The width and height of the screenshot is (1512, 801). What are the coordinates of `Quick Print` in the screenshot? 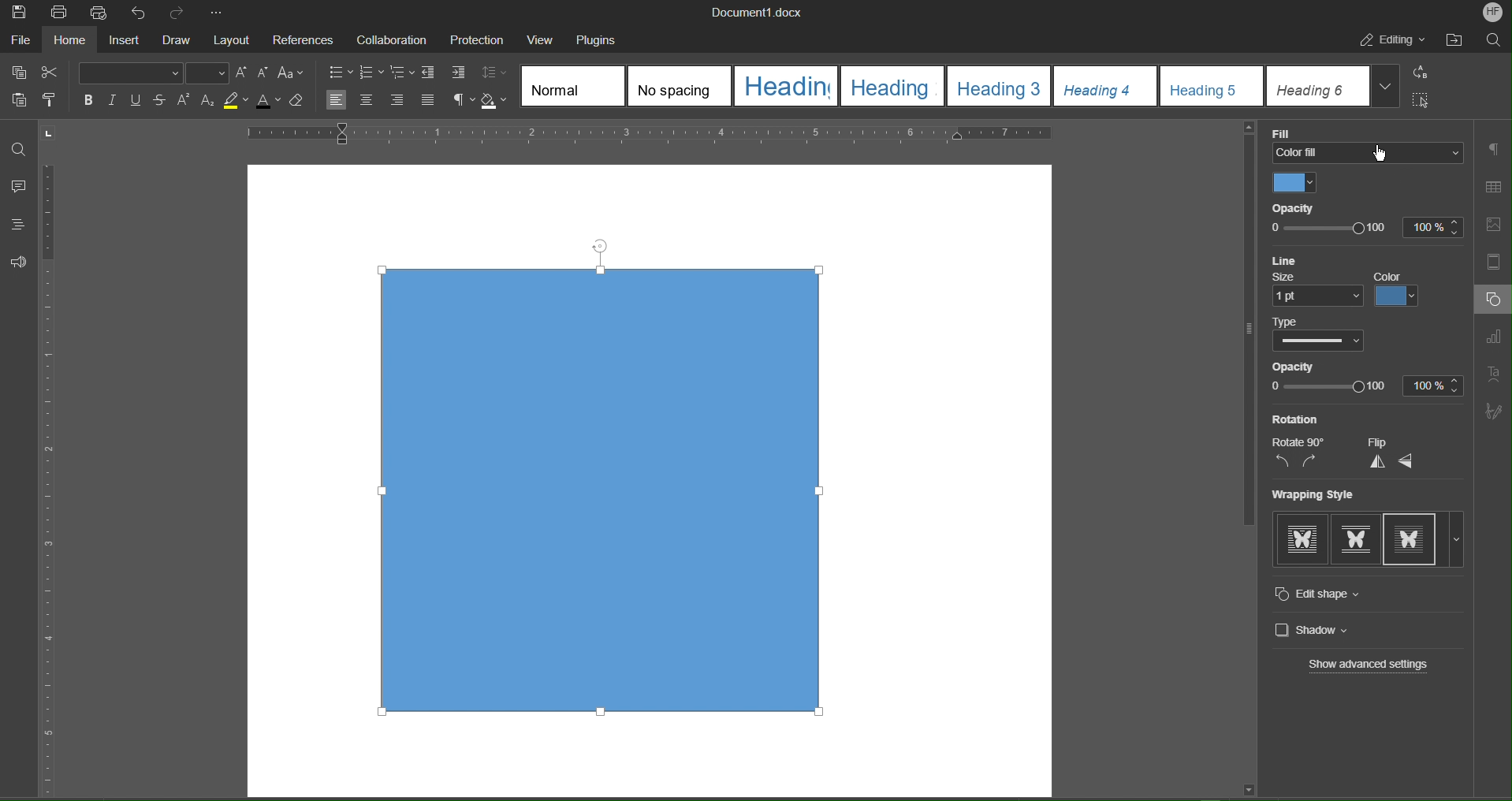 It's located at (99, 13).